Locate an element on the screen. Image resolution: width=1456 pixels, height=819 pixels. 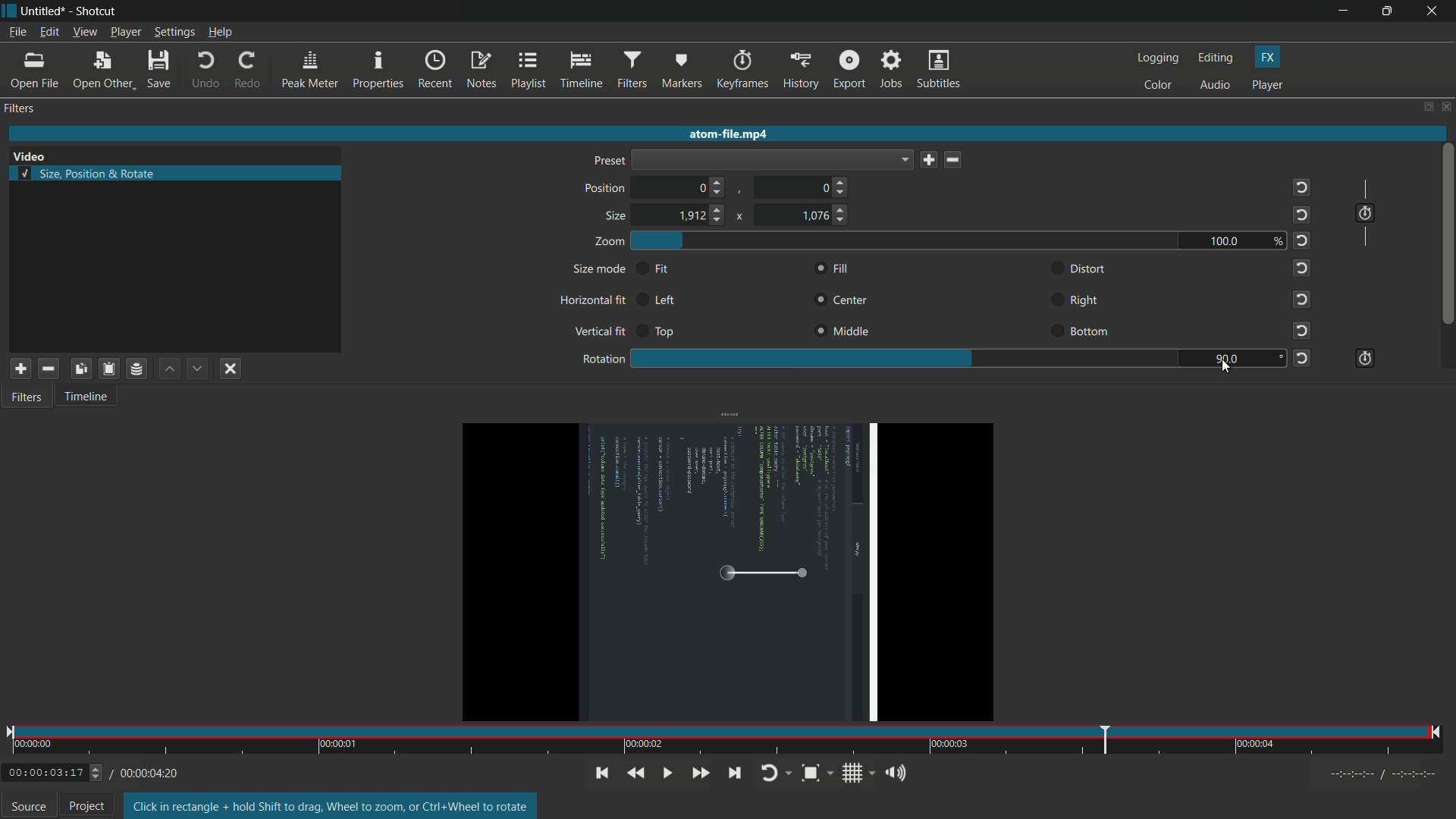
reset to default is located at coordinates (1302, 241).